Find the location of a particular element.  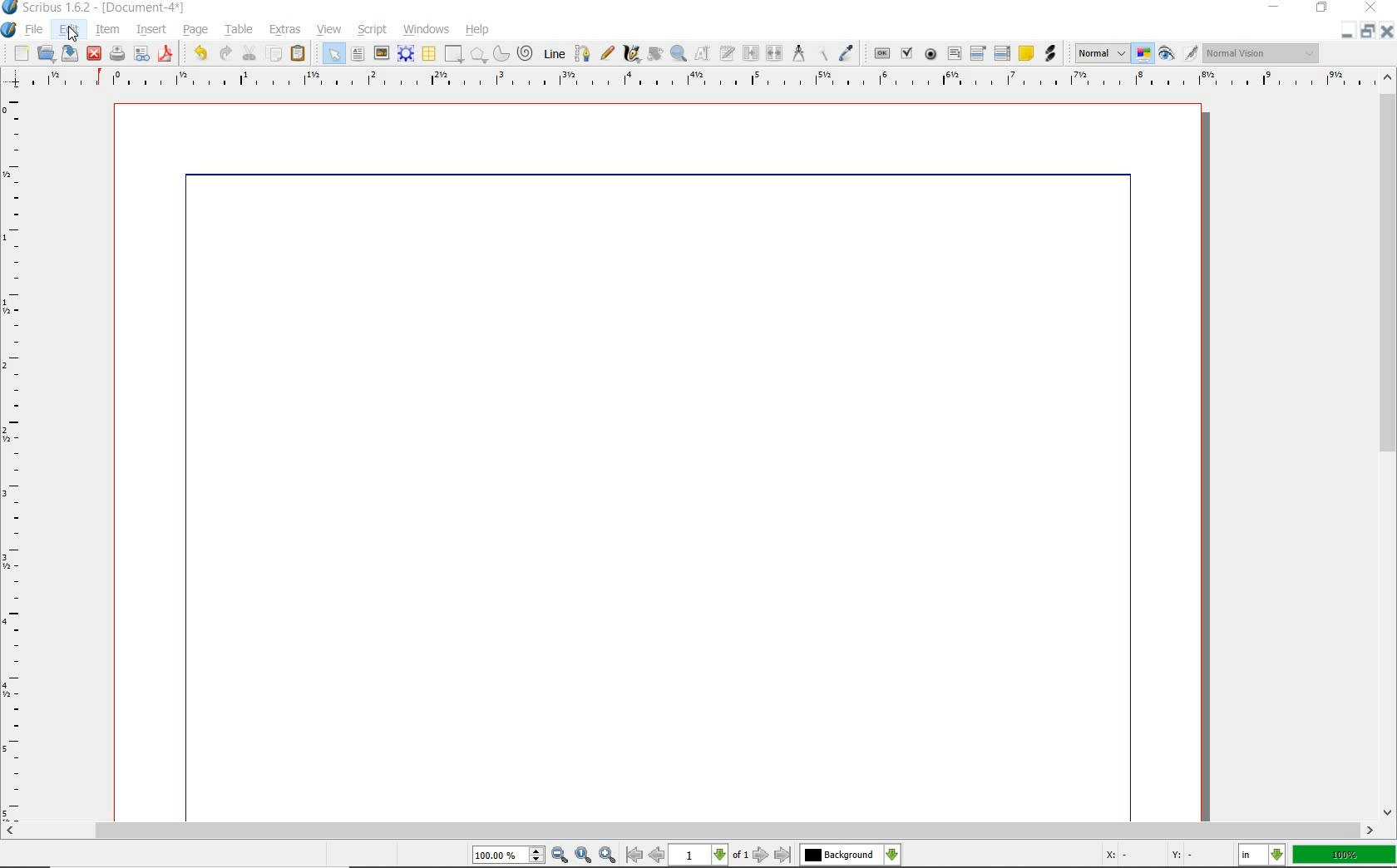

windows is located at coordinates (426, 28).